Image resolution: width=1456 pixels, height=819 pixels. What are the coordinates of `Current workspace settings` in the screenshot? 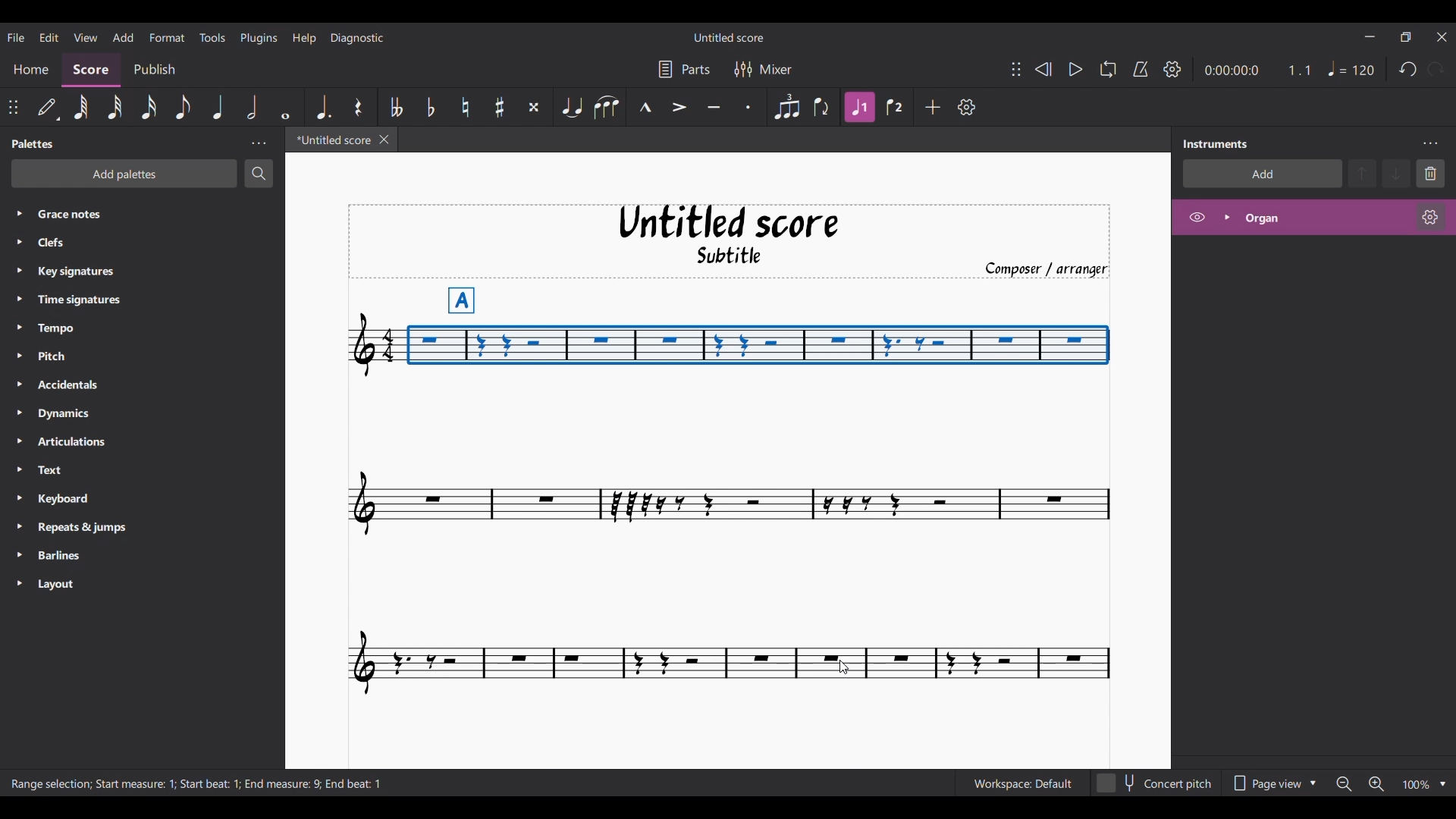 It's located at (1022, 783).